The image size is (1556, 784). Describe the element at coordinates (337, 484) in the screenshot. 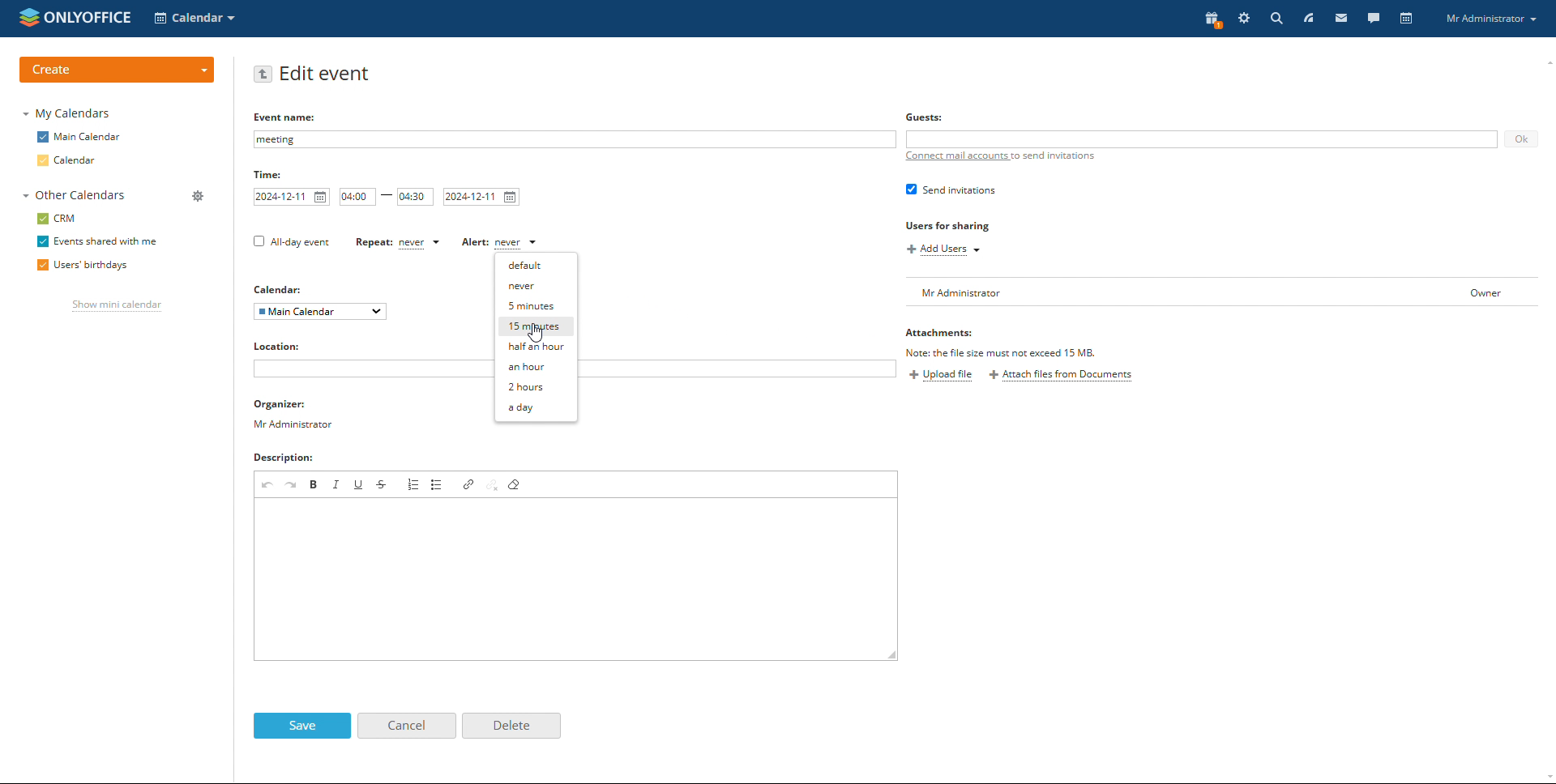

I see `italic` at that location.